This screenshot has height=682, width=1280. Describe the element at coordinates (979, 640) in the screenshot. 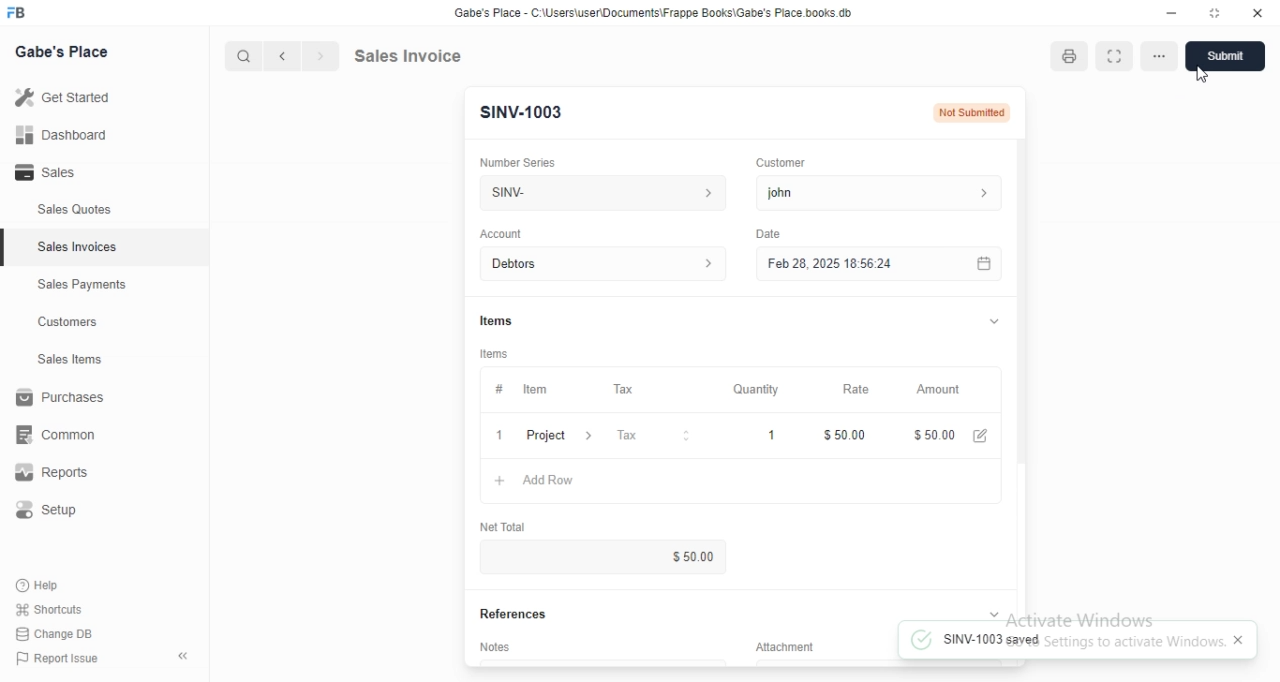

I see `SINV-1003 saved` at that location.